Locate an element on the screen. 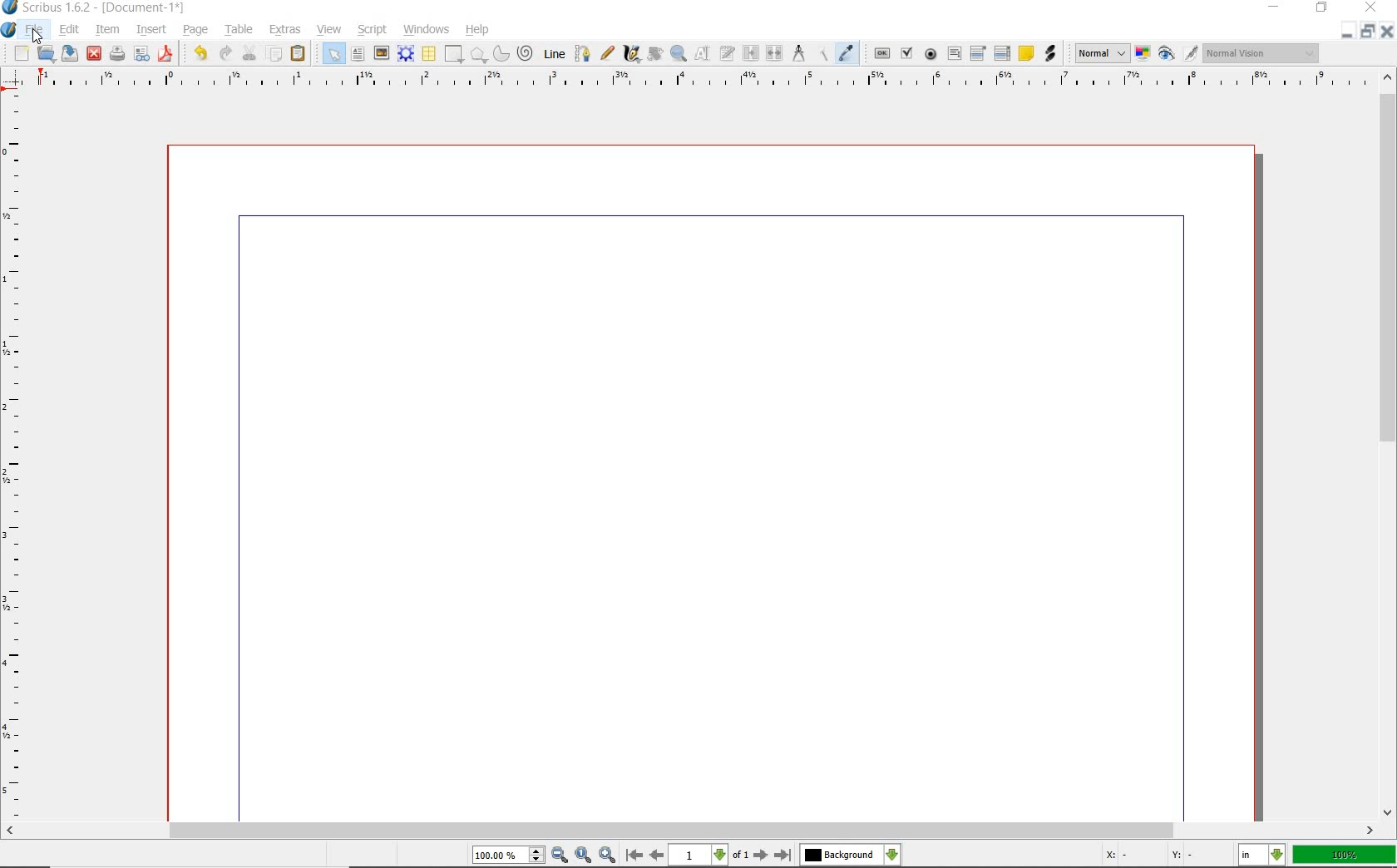 The width and height of the screenshot is (1397, 868). pdf list box is located at coordinates (1001, 54).